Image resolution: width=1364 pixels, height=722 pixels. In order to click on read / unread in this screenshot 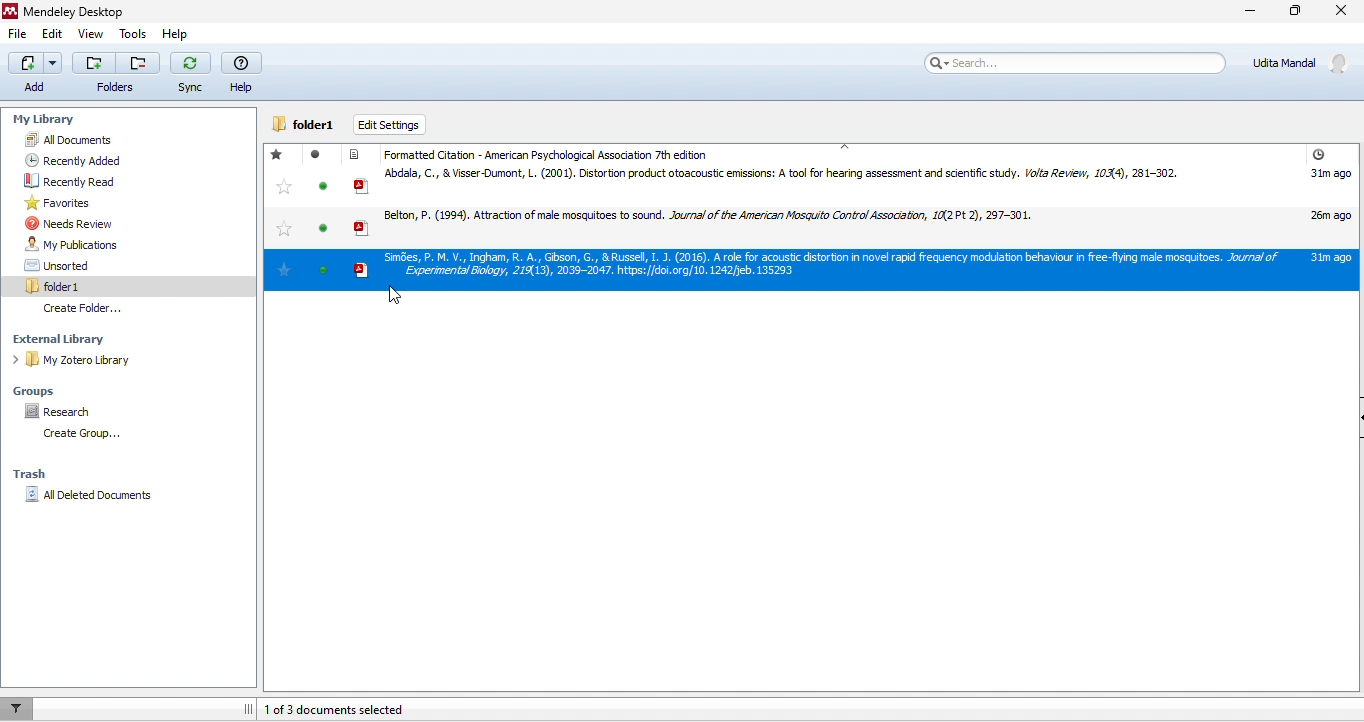, I will do `click(323, 194)`.